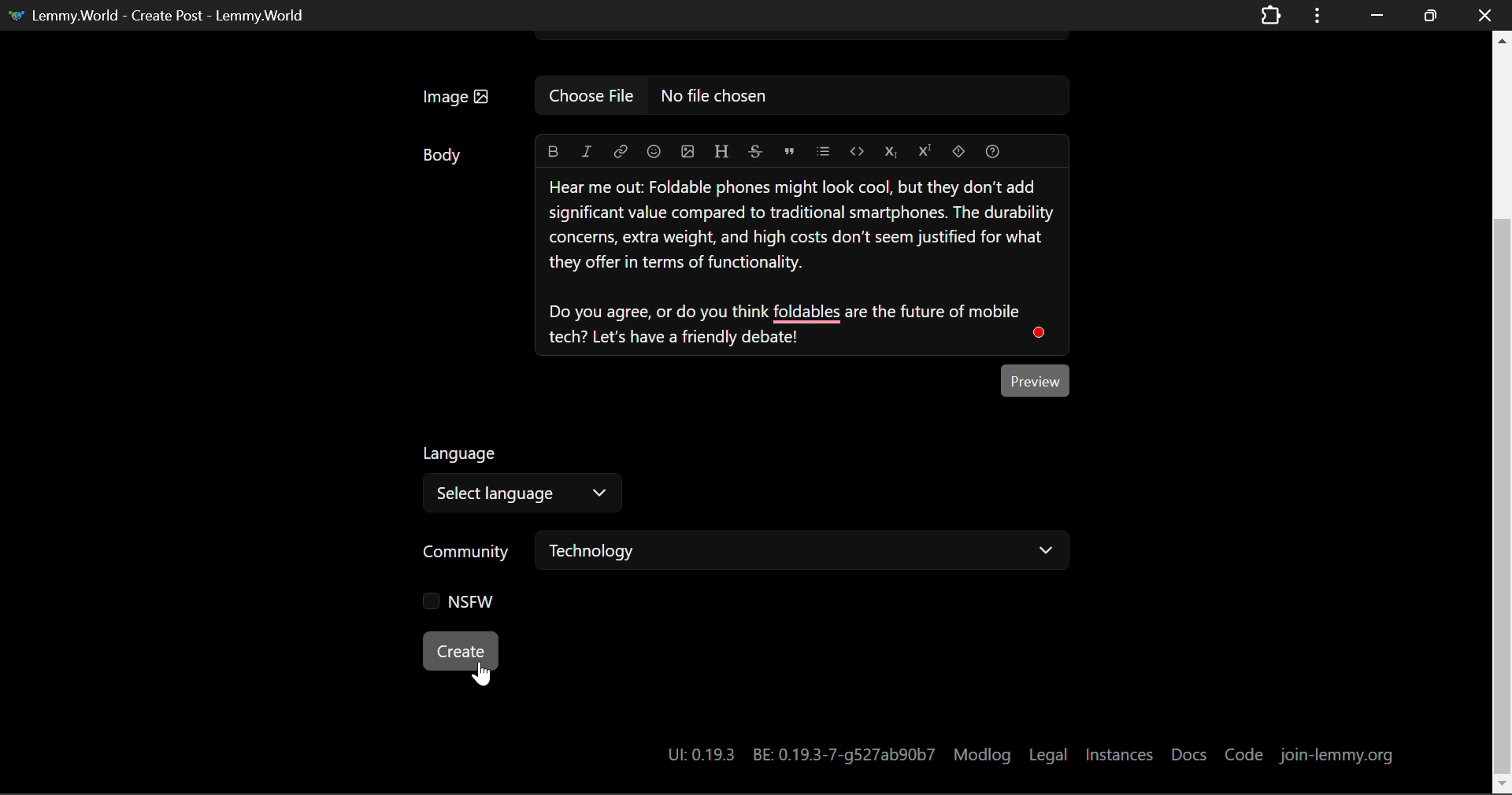  I want to click on italic, so click(586, 150).